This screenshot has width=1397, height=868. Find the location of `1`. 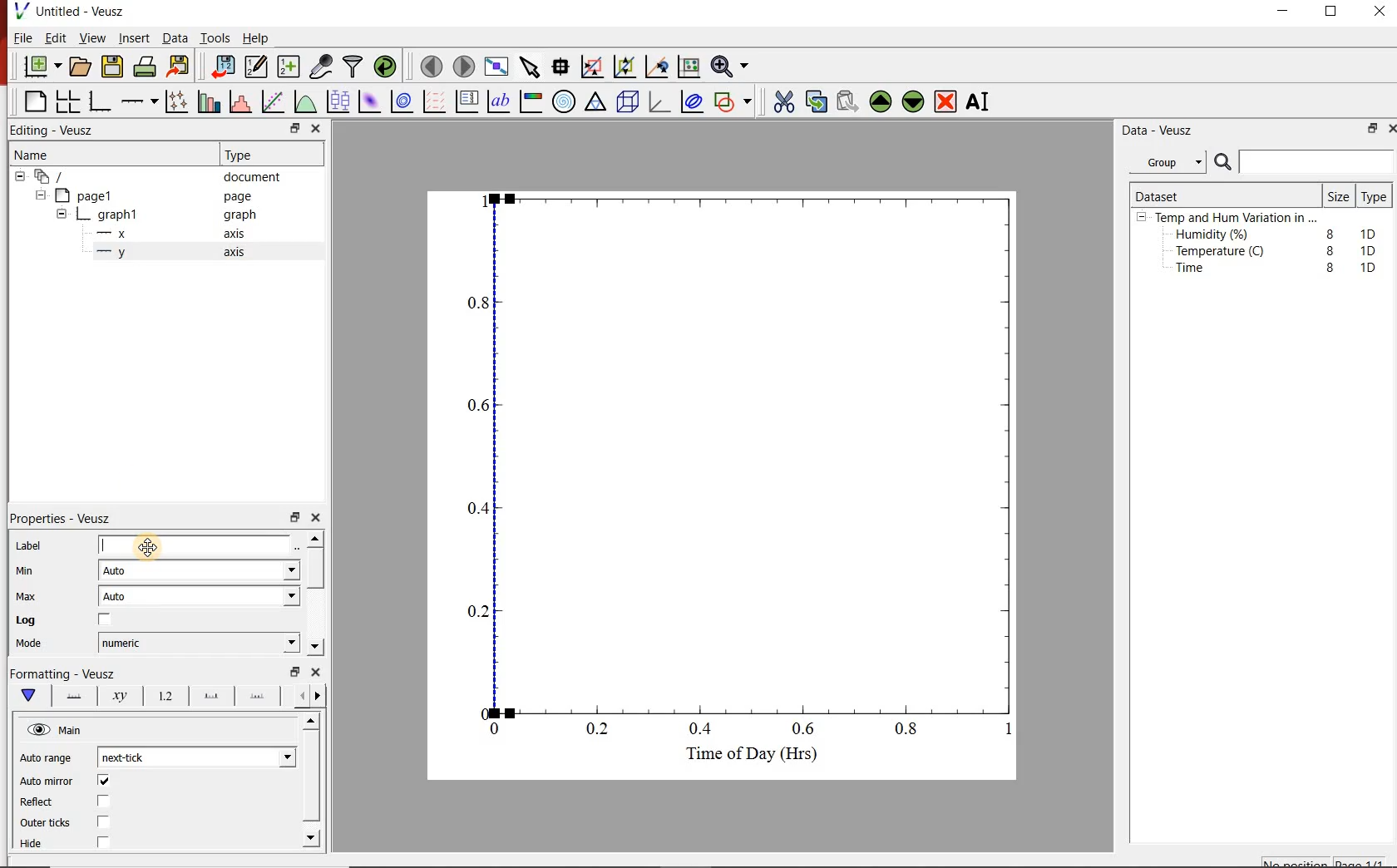

1 is located at coordinates (481, 200).